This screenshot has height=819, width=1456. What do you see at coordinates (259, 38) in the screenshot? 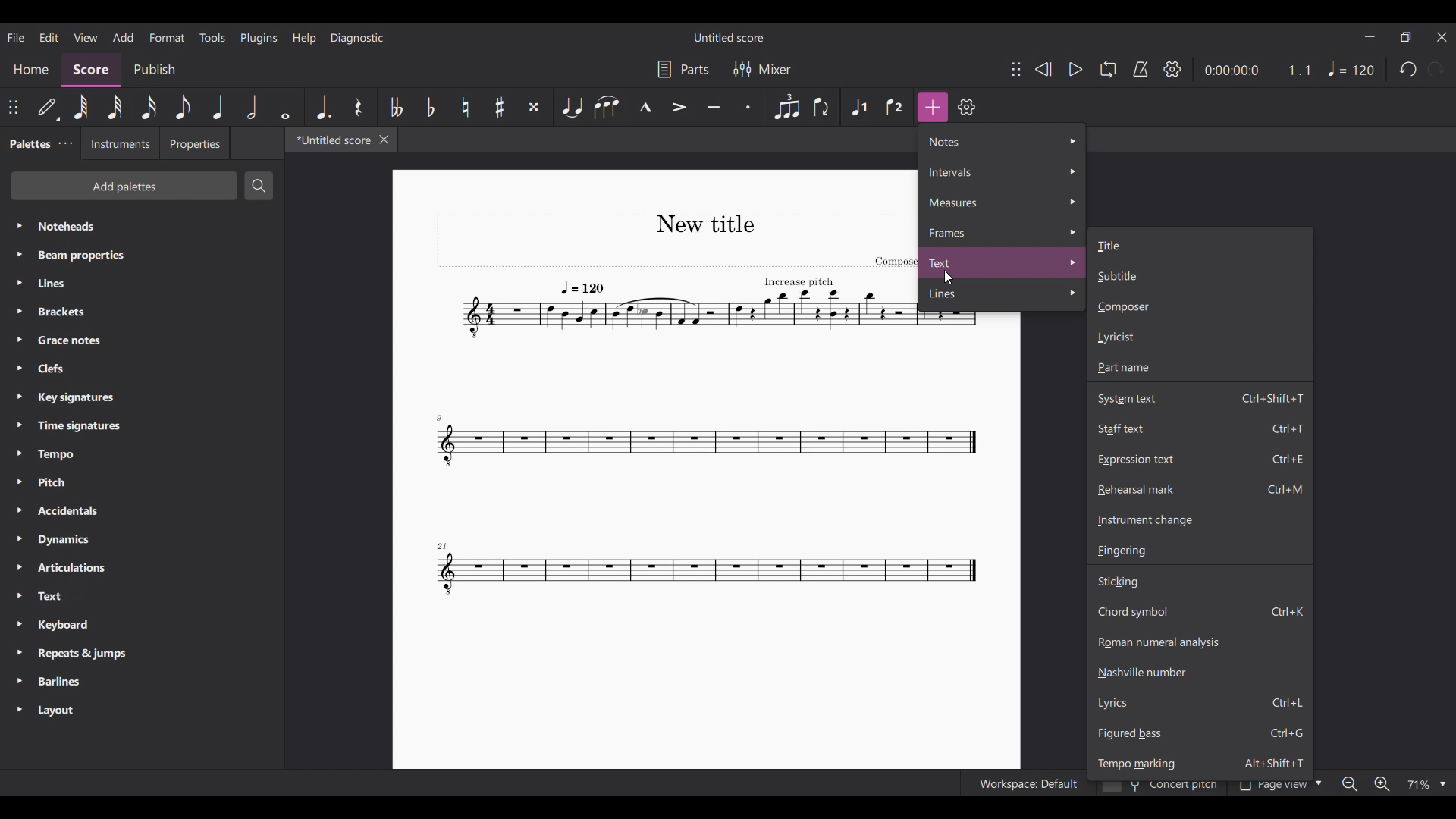
I see `Plugins menu` at bounding box center [259, 38].